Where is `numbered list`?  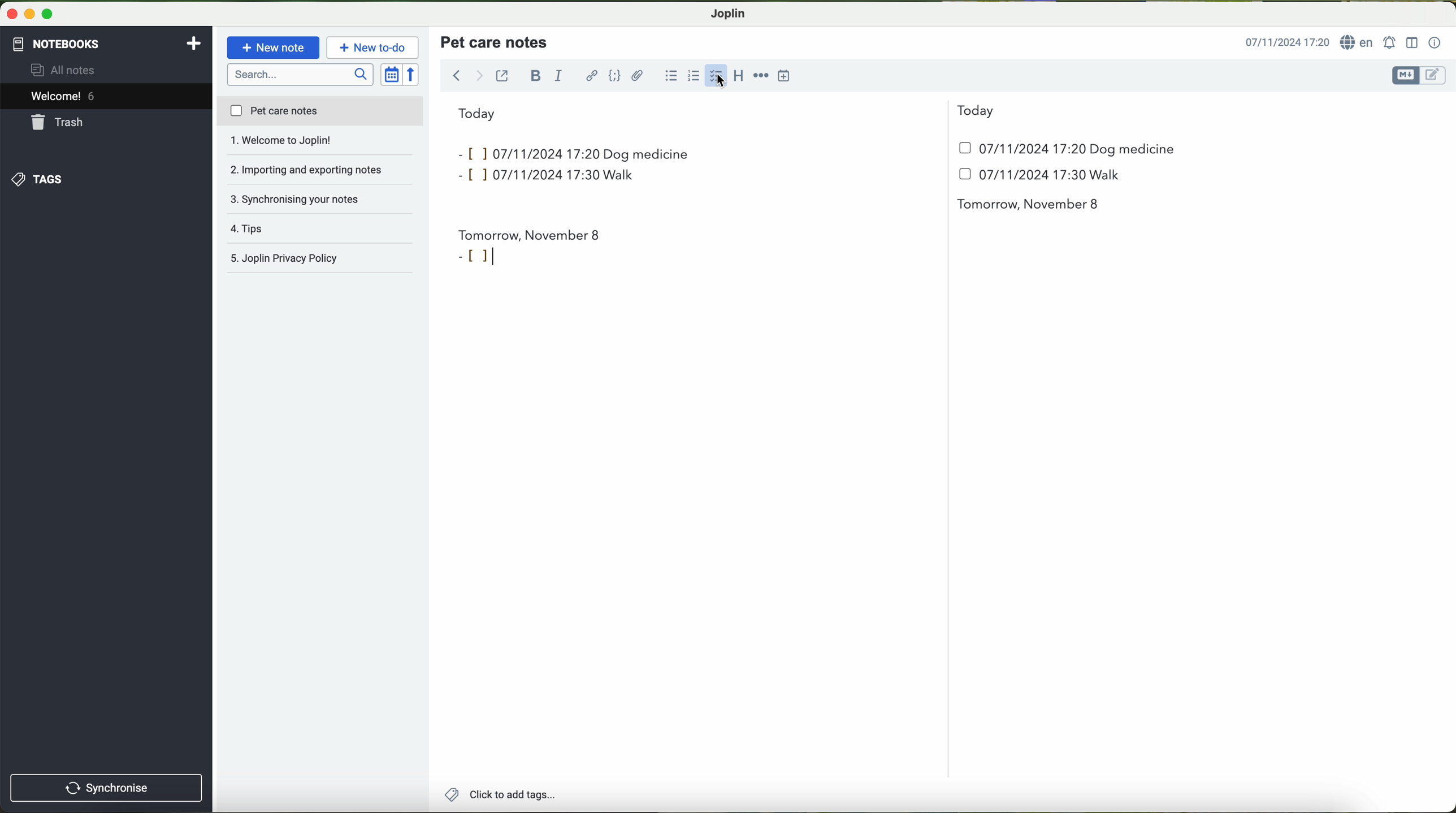 numbered list is located at coordinates (692, 76).